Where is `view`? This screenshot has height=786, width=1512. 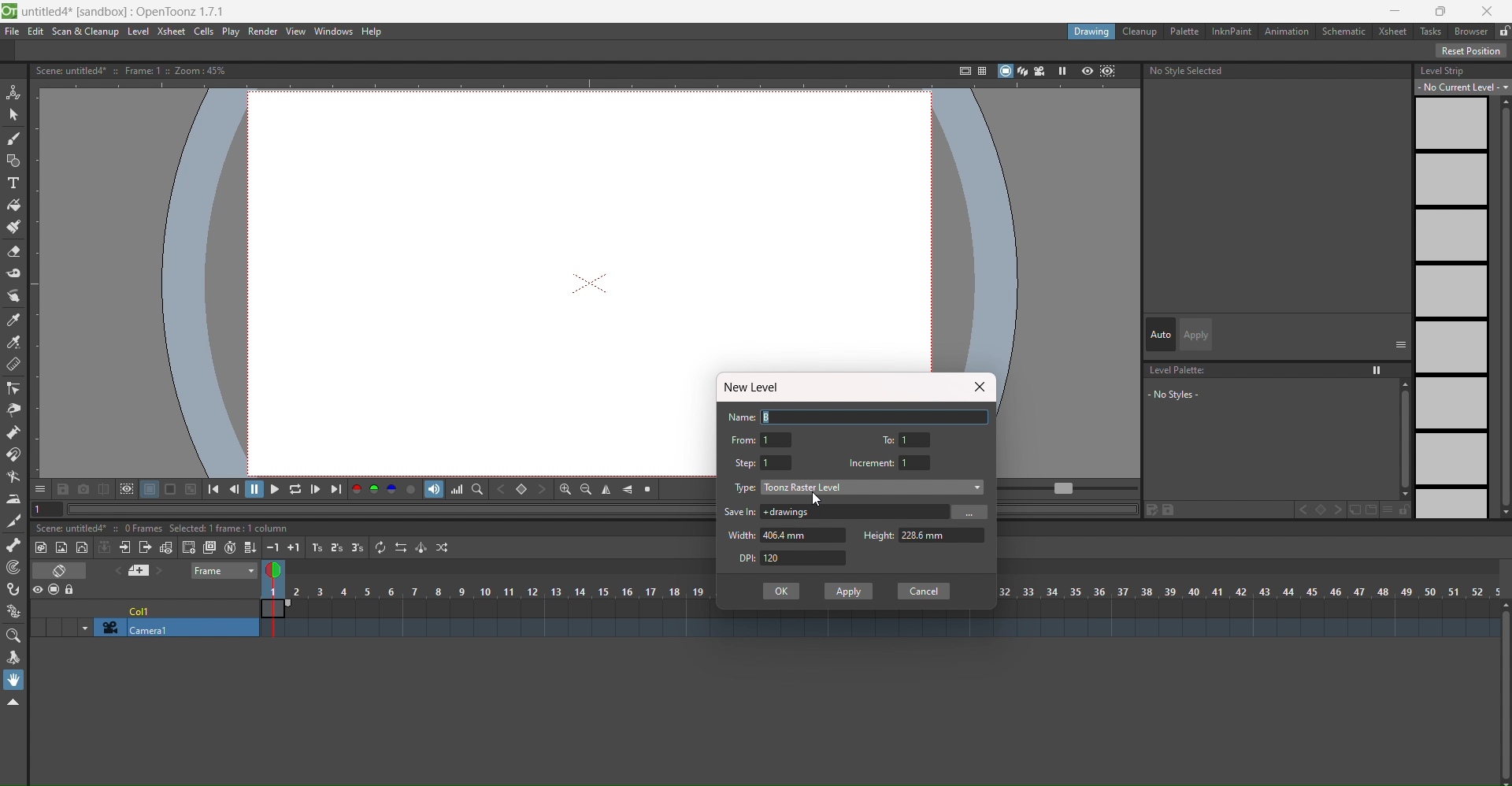 view is located at coordinates (277, 573).